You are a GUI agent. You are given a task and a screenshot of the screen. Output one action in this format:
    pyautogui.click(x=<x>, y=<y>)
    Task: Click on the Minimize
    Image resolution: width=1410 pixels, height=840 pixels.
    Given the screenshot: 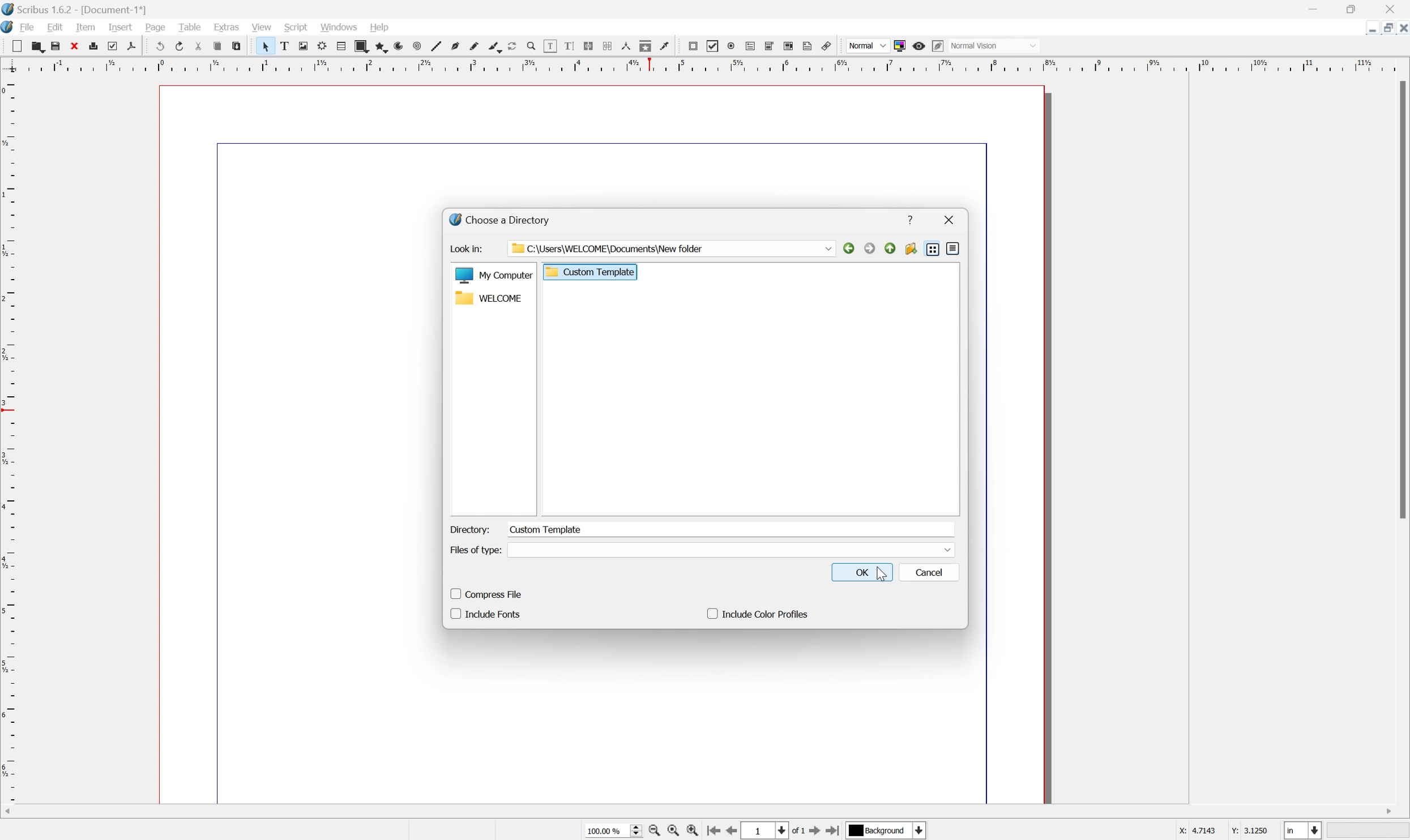 What is the action you would take?
    pyautogui.click(x=1370, y=32)
    